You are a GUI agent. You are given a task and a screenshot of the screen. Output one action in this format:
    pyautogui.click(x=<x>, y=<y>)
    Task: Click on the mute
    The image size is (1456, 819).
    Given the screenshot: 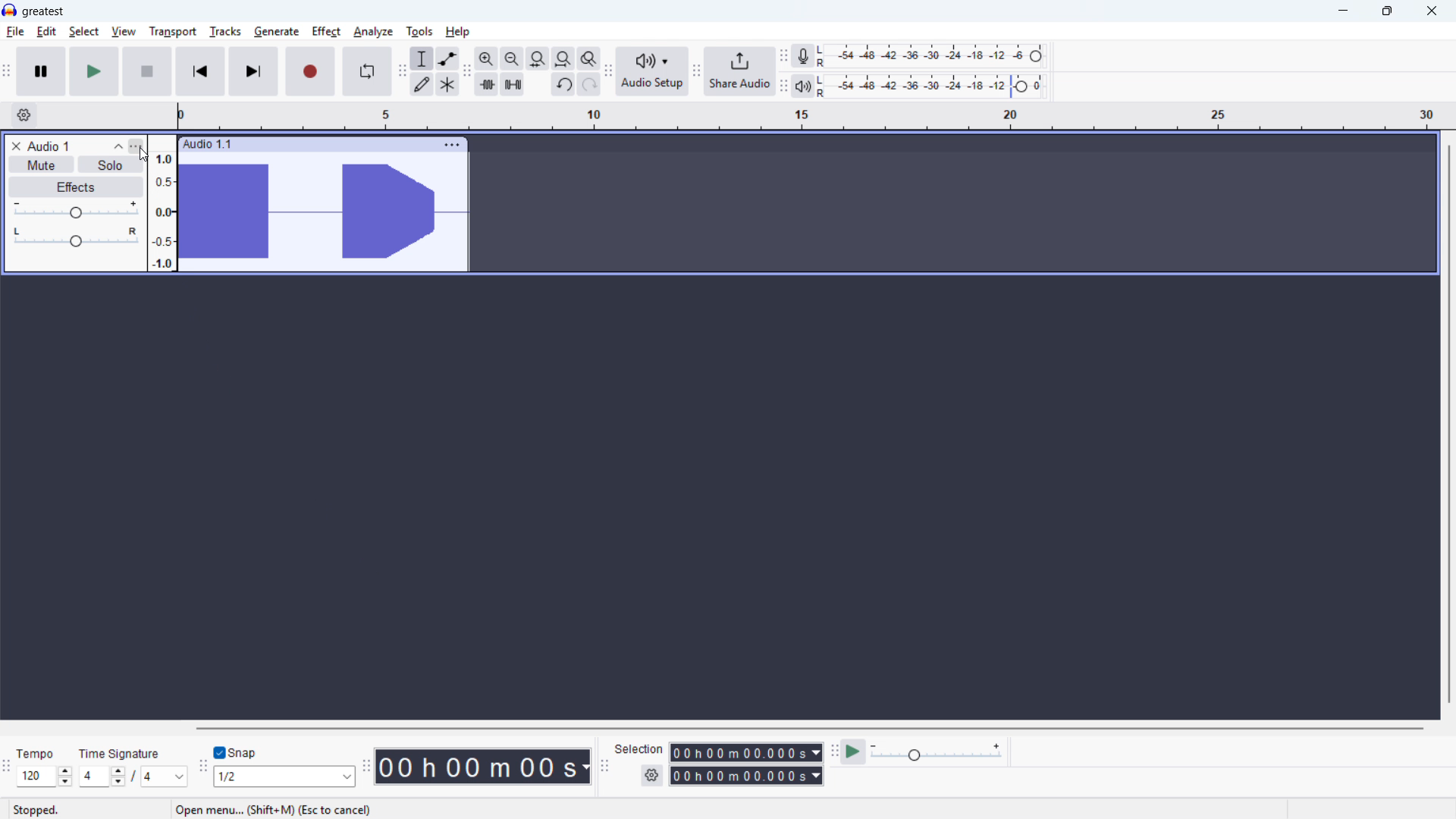 What is the action you would take?
    pyautogui.click(x=41, y=165)
    